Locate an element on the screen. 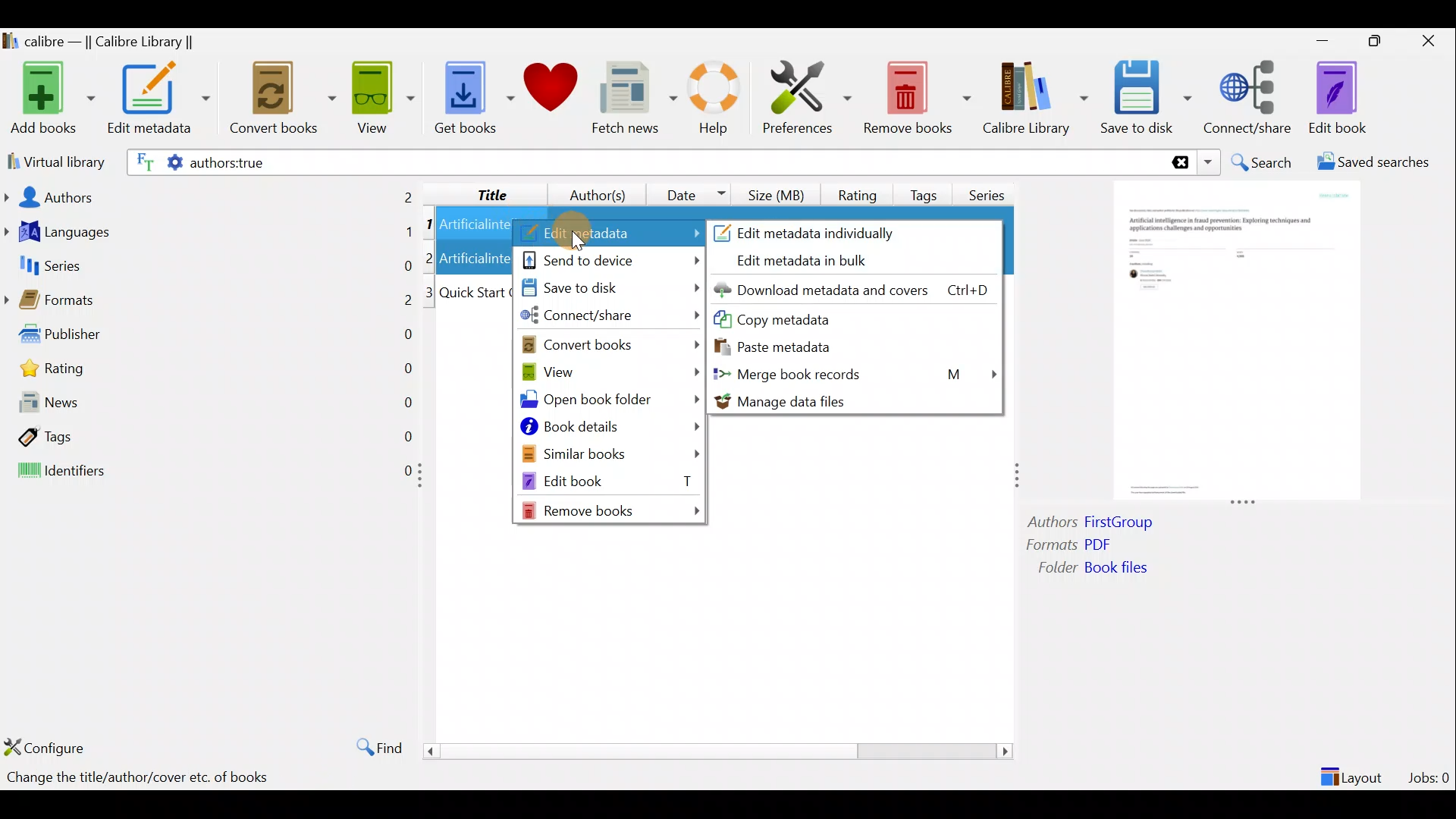  Title is located at coordinates (480, 192).